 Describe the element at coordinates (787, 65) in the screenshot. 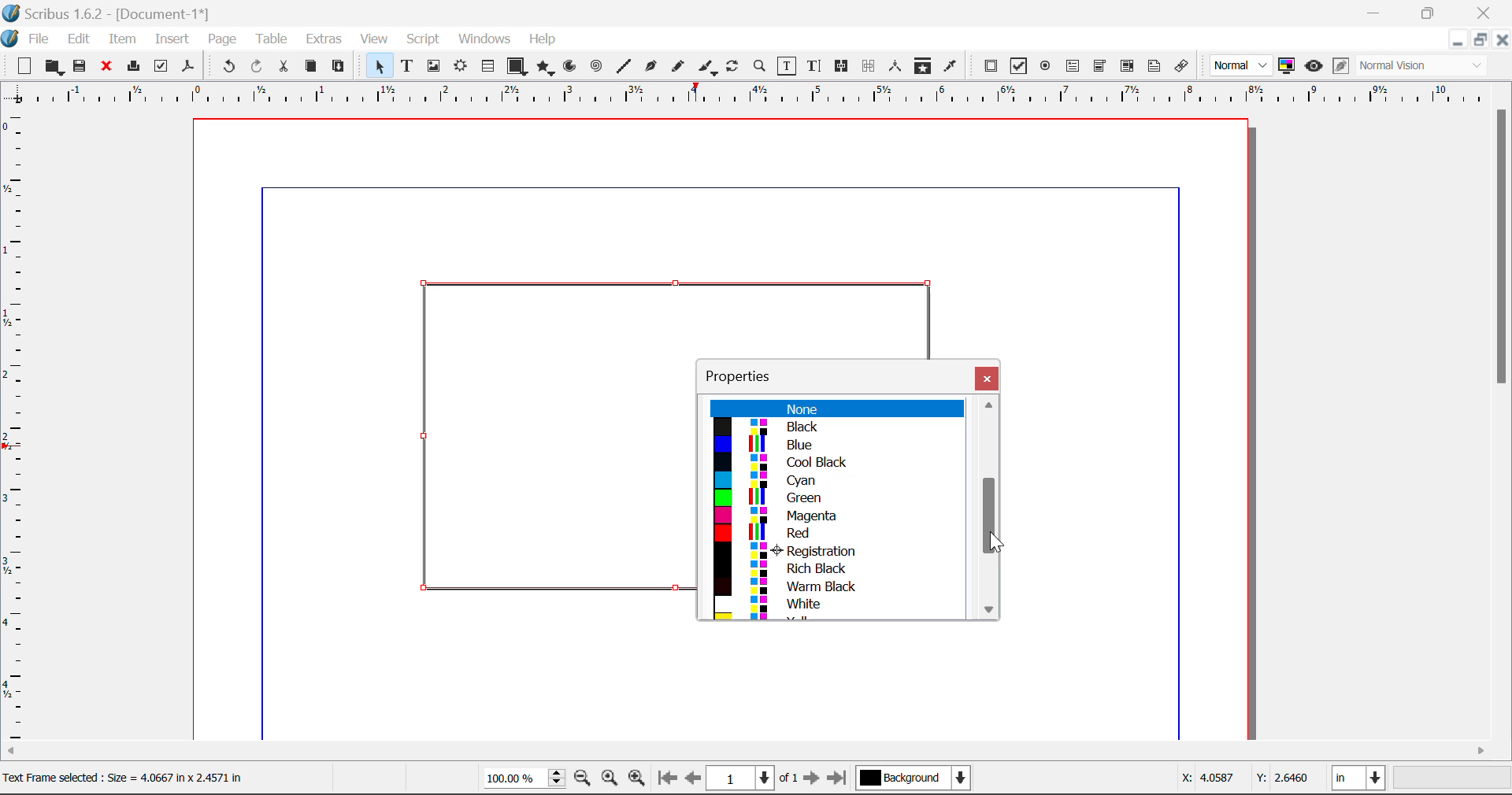

I see `Edit Contents of Frame` at that location.